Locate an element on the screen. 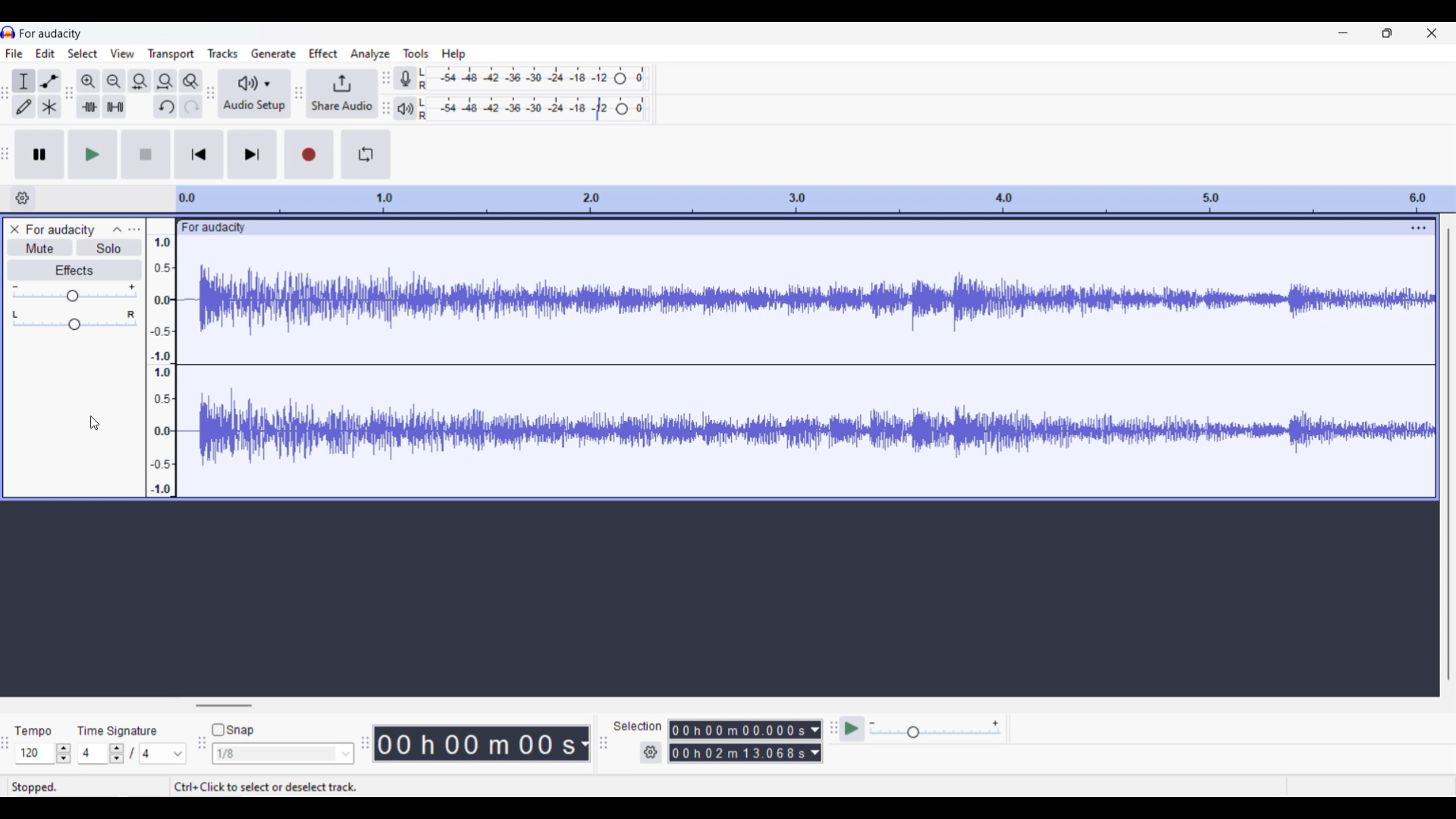 Image resolution: width=1456 pixels, height=819 pixels. Analyze is located at coordinates (369, 54).